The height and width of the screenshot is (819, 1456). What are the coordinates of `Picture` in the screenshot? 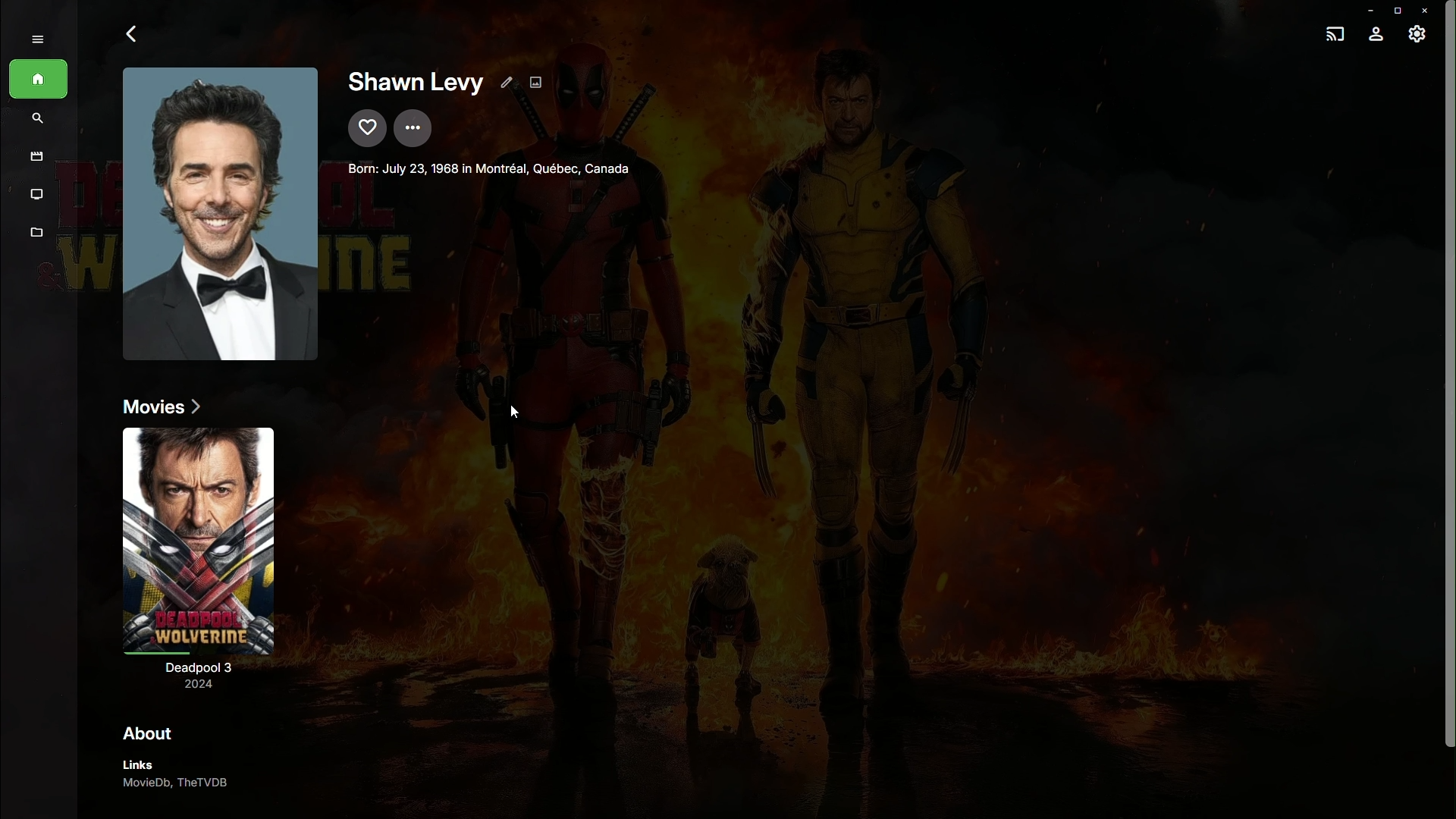 It's located at (216, 215).